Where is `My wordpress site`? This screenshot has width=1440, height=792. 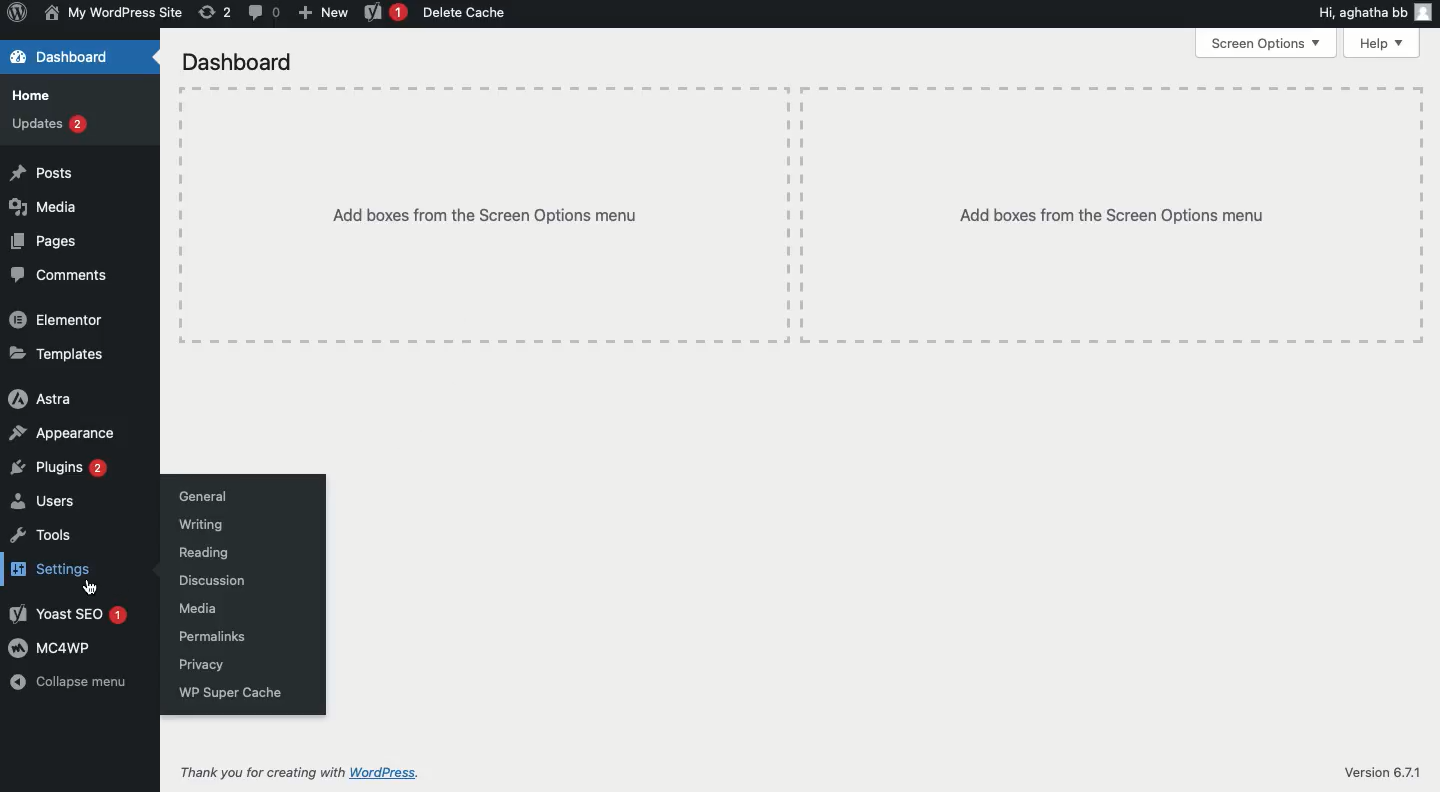
My wordpress site is located at coordinates (111, 12).